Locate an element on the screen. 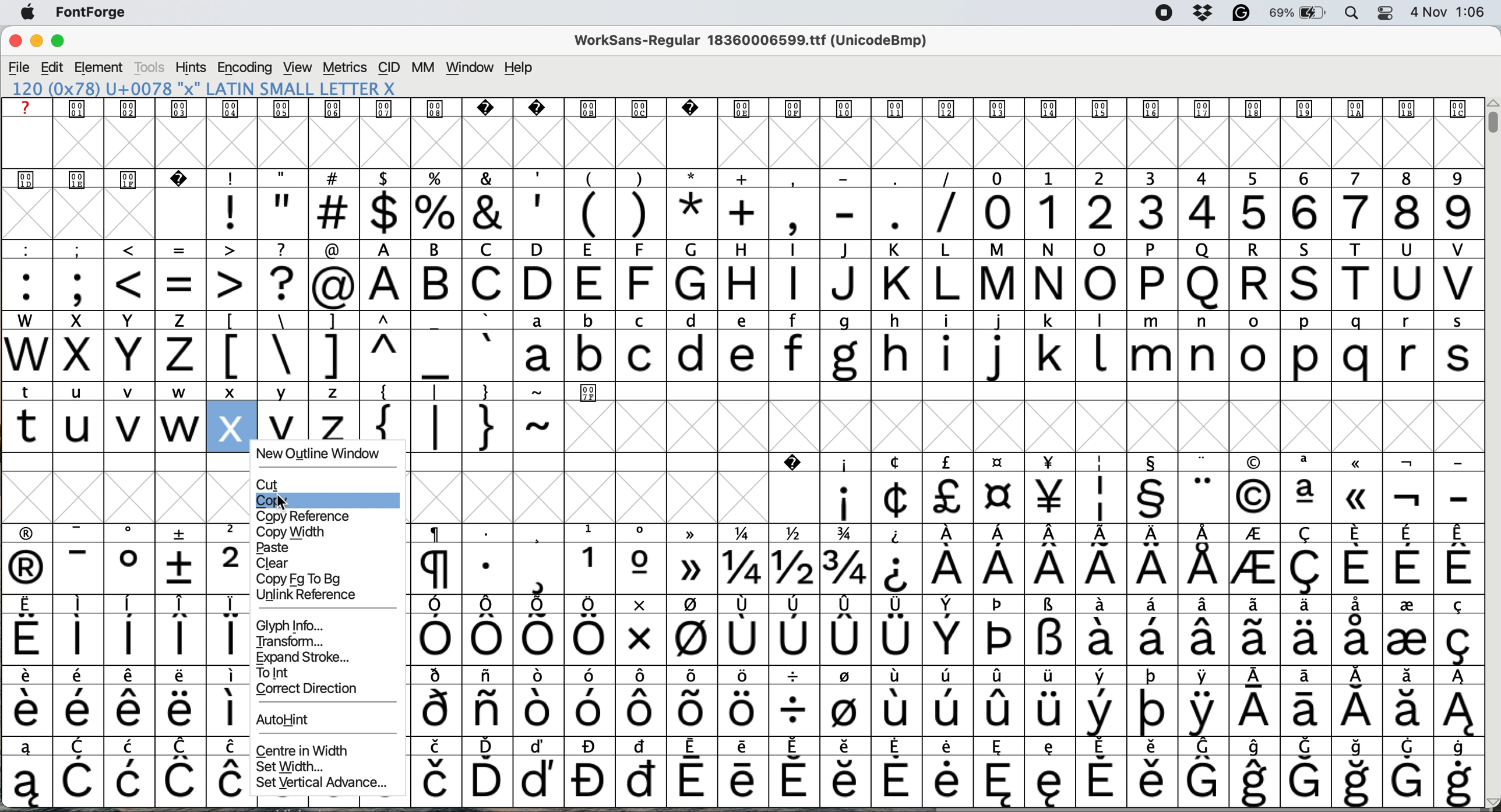  special characters is located at coordinates (131, 531).